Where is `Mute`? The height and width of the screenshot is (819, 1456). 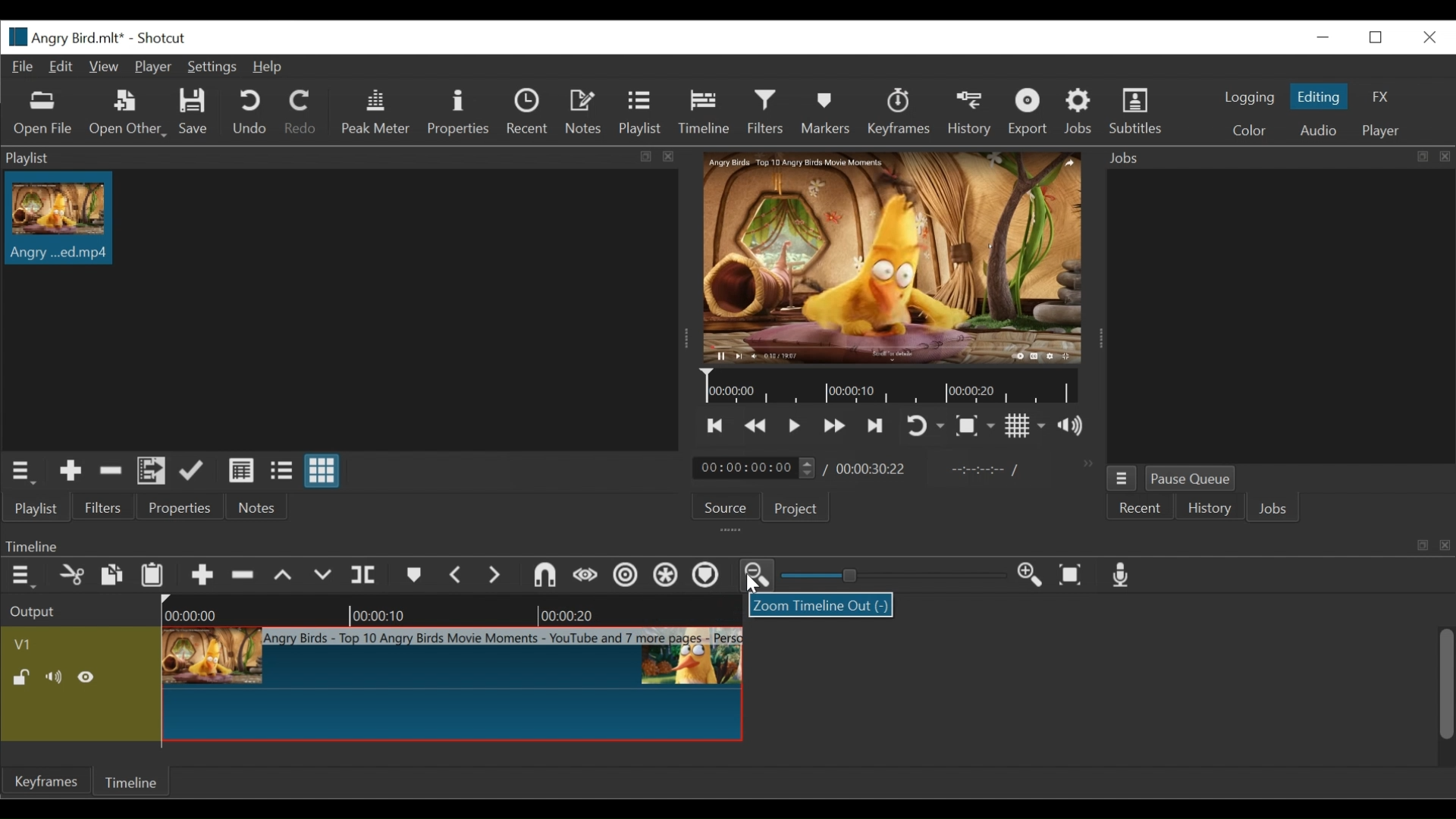 Mute is located at coordinates (54, 676).